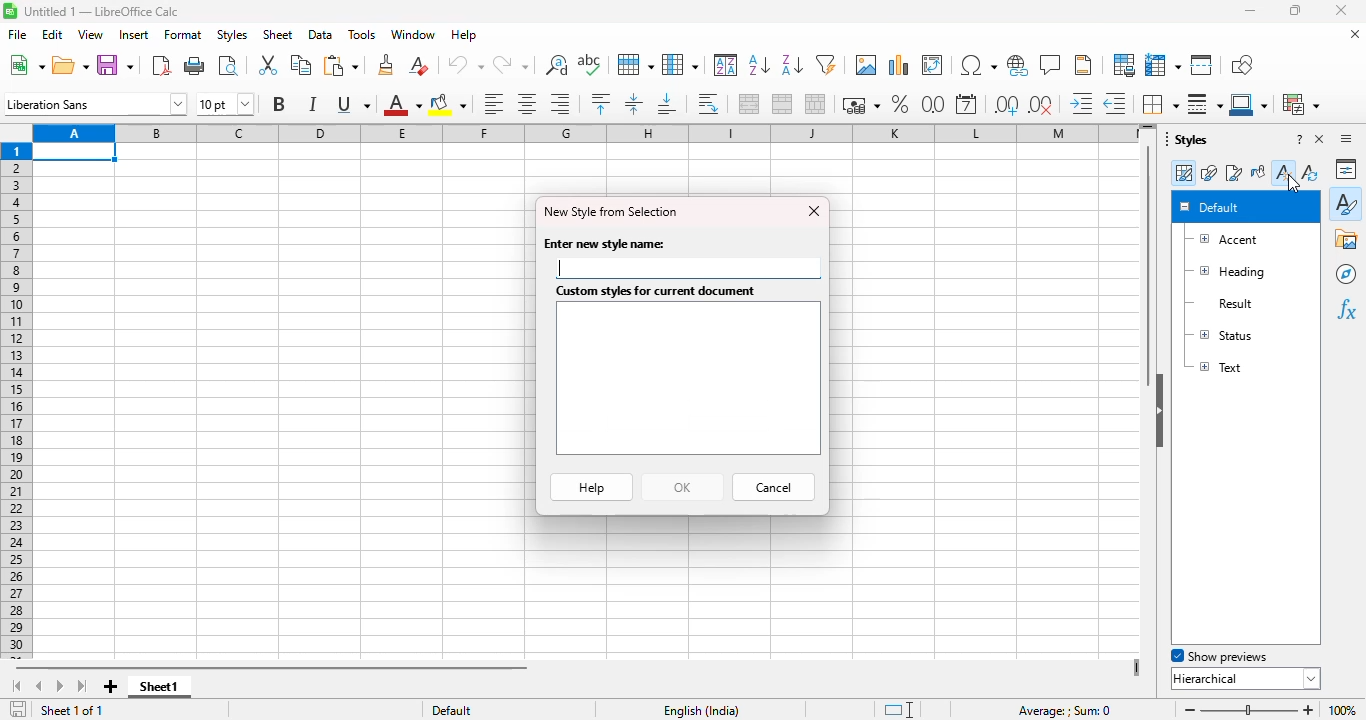 This screenshot has height=720, width=1366. Describe the element at coordinates (111, 687) in the screenshot. I see `add new sheet` at that location.